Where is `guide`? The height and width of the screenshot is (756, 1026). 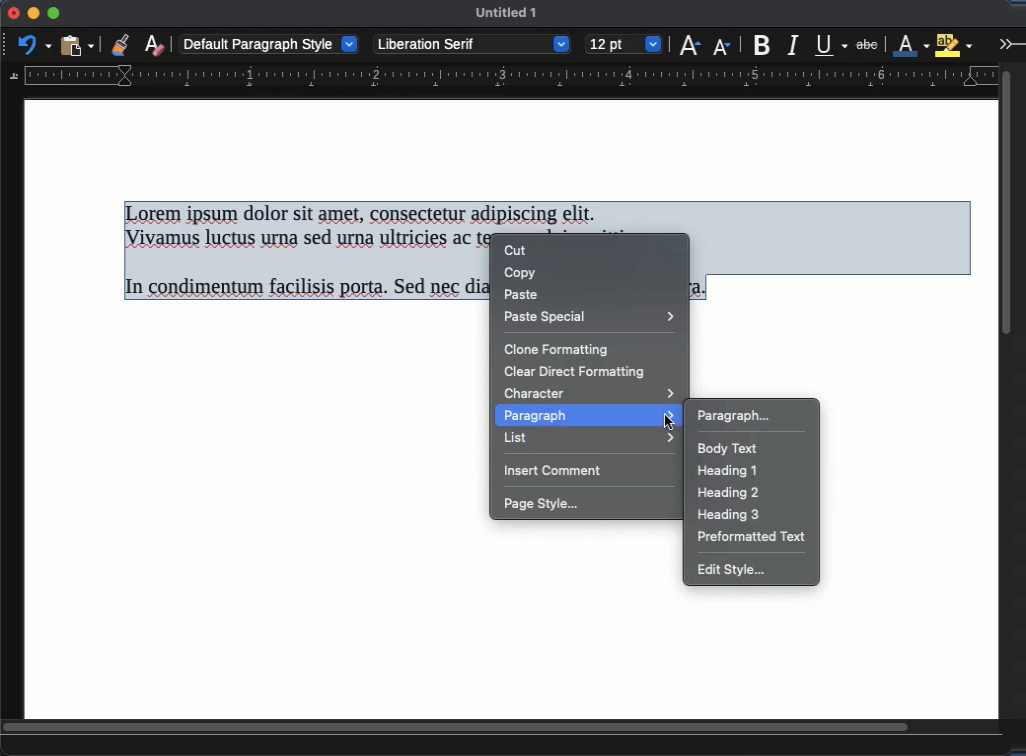 guide is located at coordinates (500, 77).